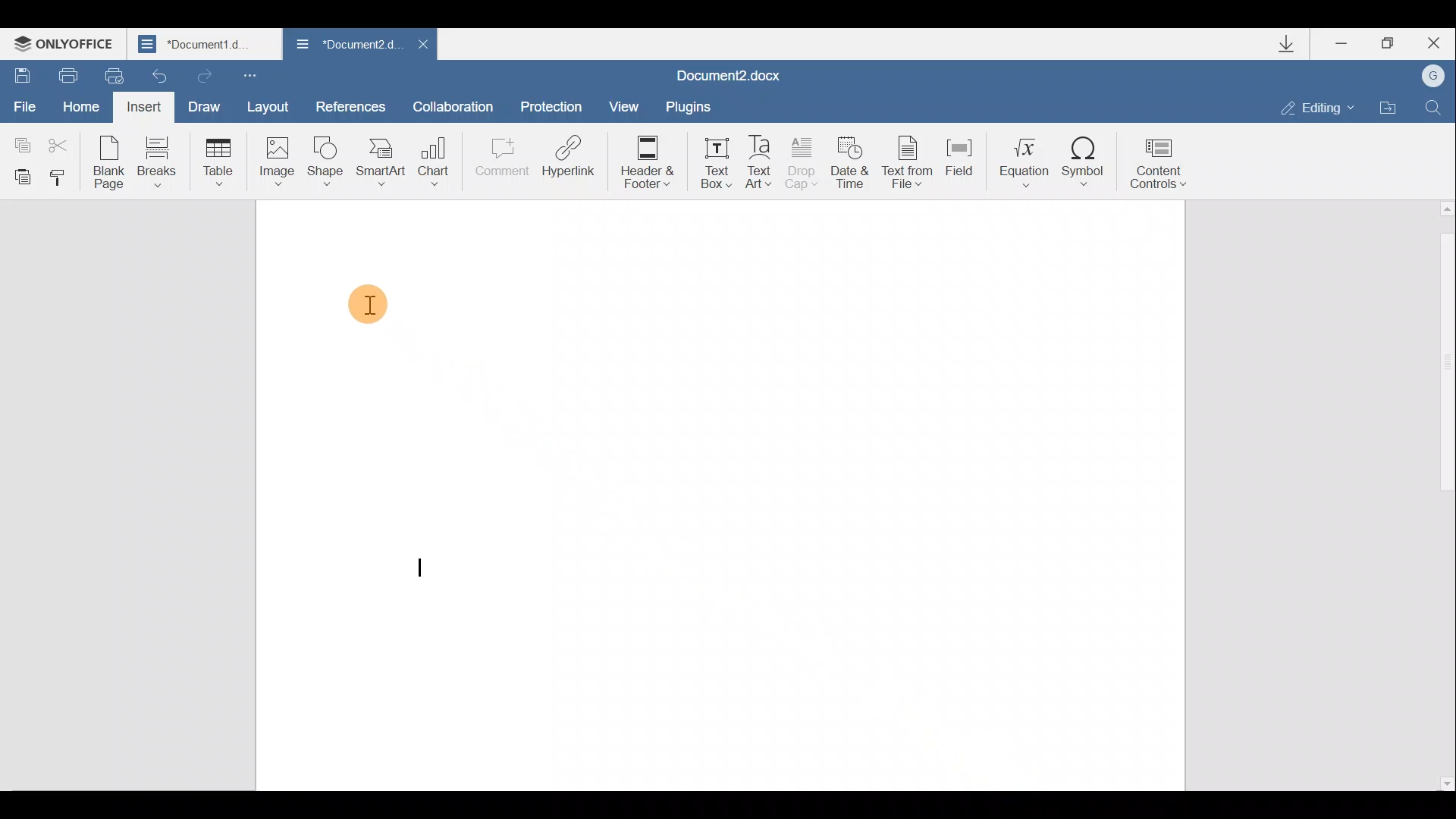  I want to click on Cursor, so click(372, 305).